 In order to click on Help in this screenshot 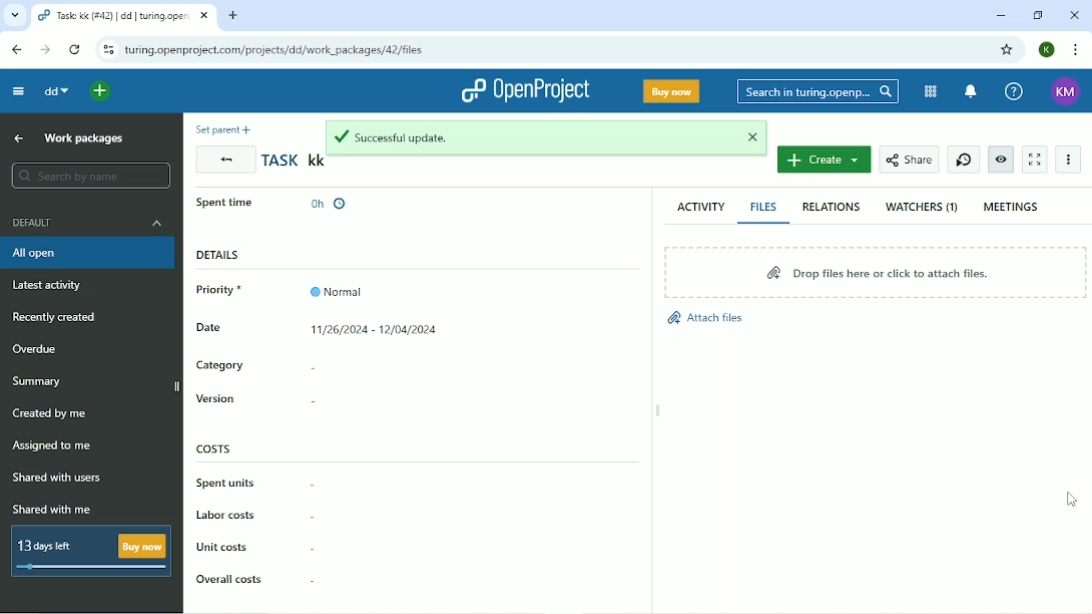, I will do `click(1012, 91)`.